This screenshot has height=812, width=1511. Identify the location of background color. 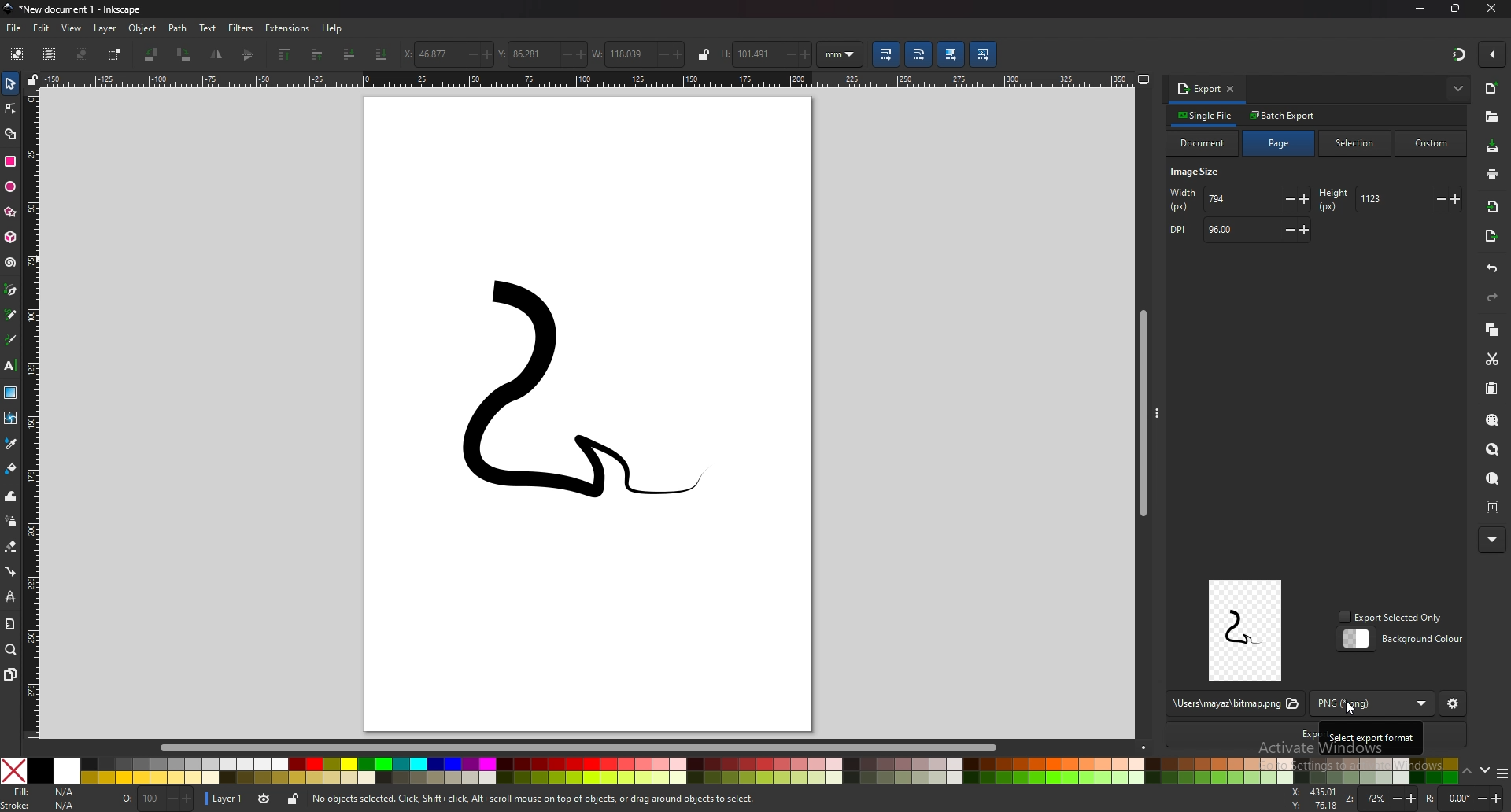
(1403, 639).